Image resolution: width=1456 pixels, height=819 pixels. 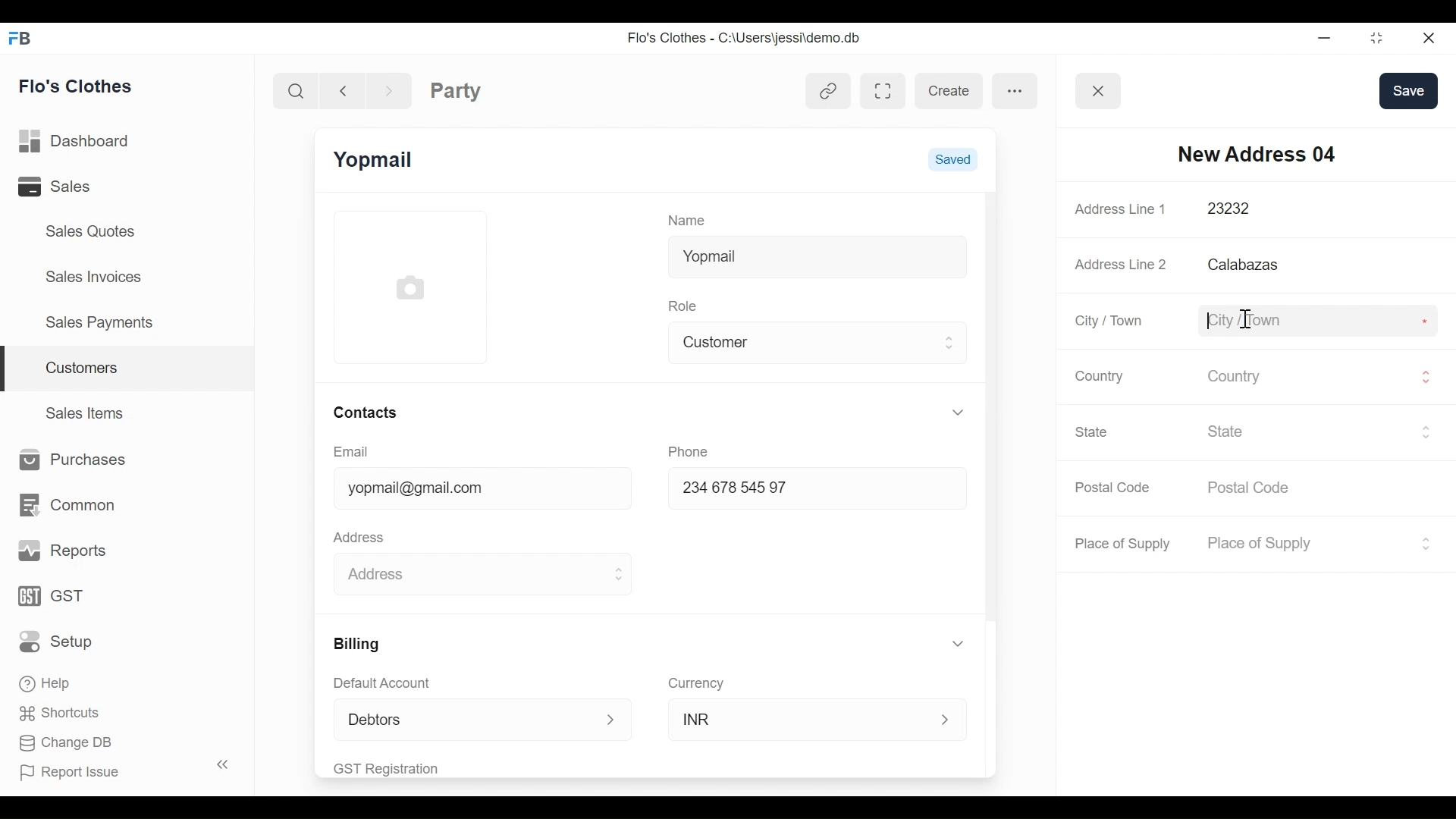 I want to click on Profile Picture, so click(x=413, y=286).